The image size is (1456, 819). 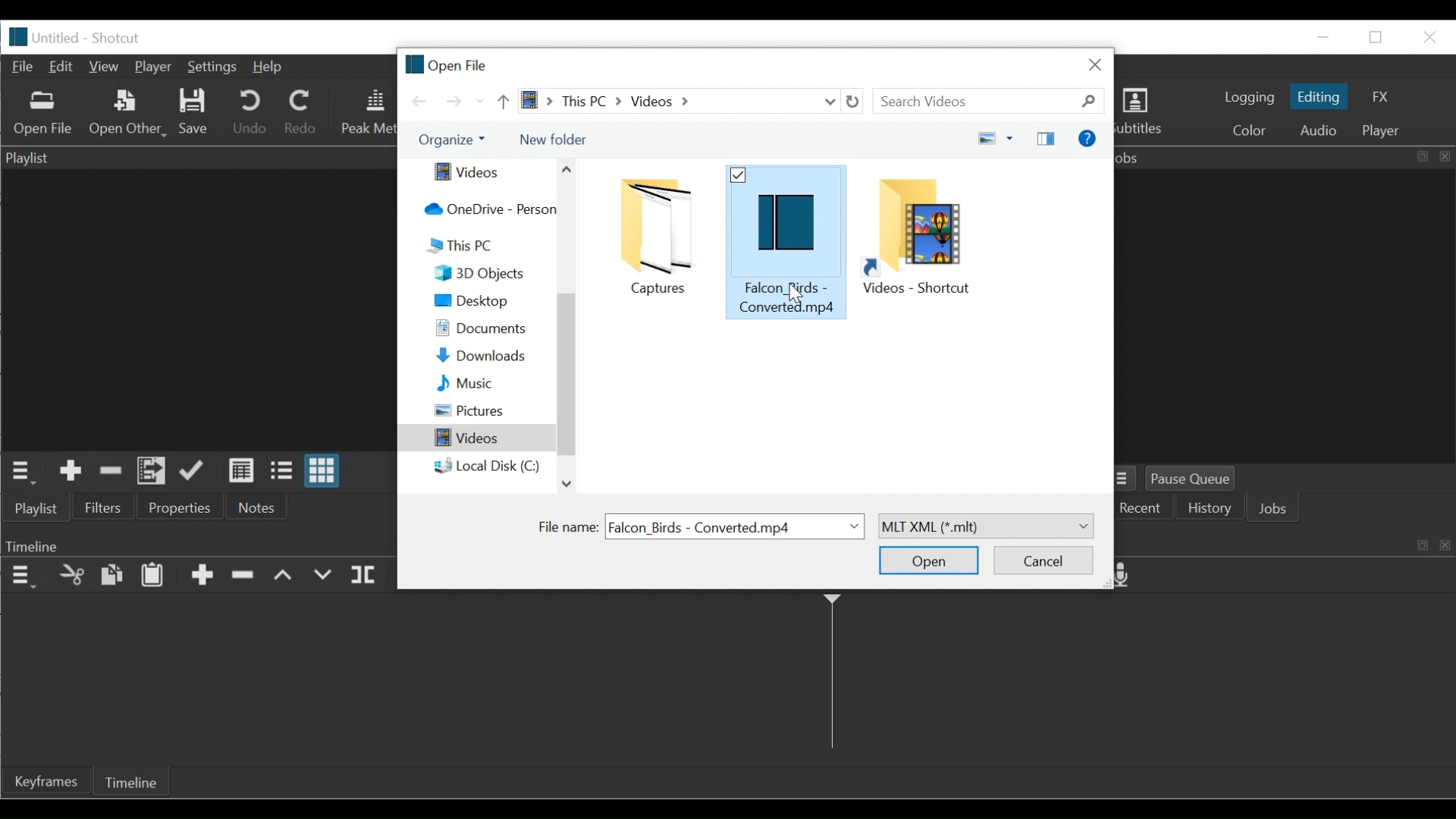 I want to click on minimize, so click(x=1322, y=37).